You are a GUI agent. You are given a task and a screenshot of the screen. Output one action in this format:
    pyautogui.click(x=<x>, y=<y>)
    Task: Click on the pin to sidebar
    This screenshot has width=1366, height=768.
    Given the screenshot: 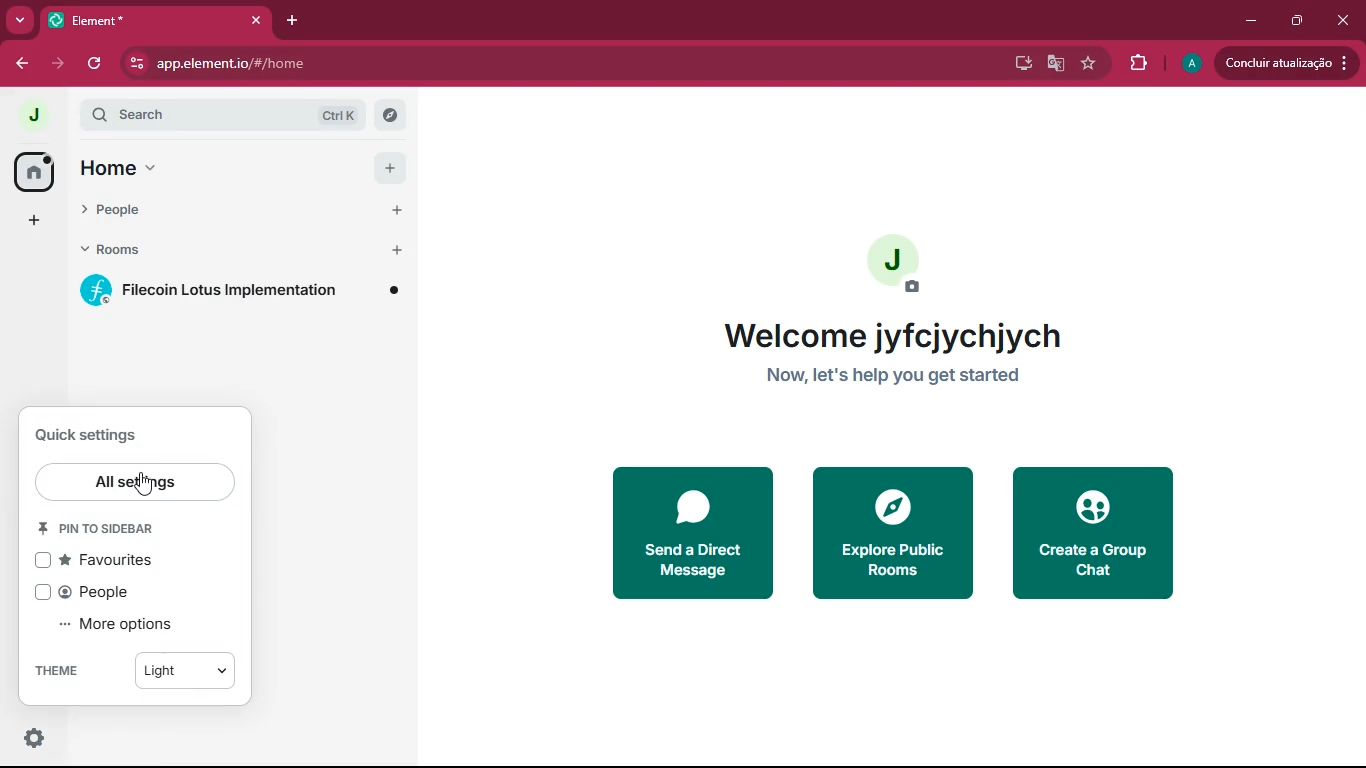 What is the action you would take?
    pyautogui.click(x=119, y=527)
    